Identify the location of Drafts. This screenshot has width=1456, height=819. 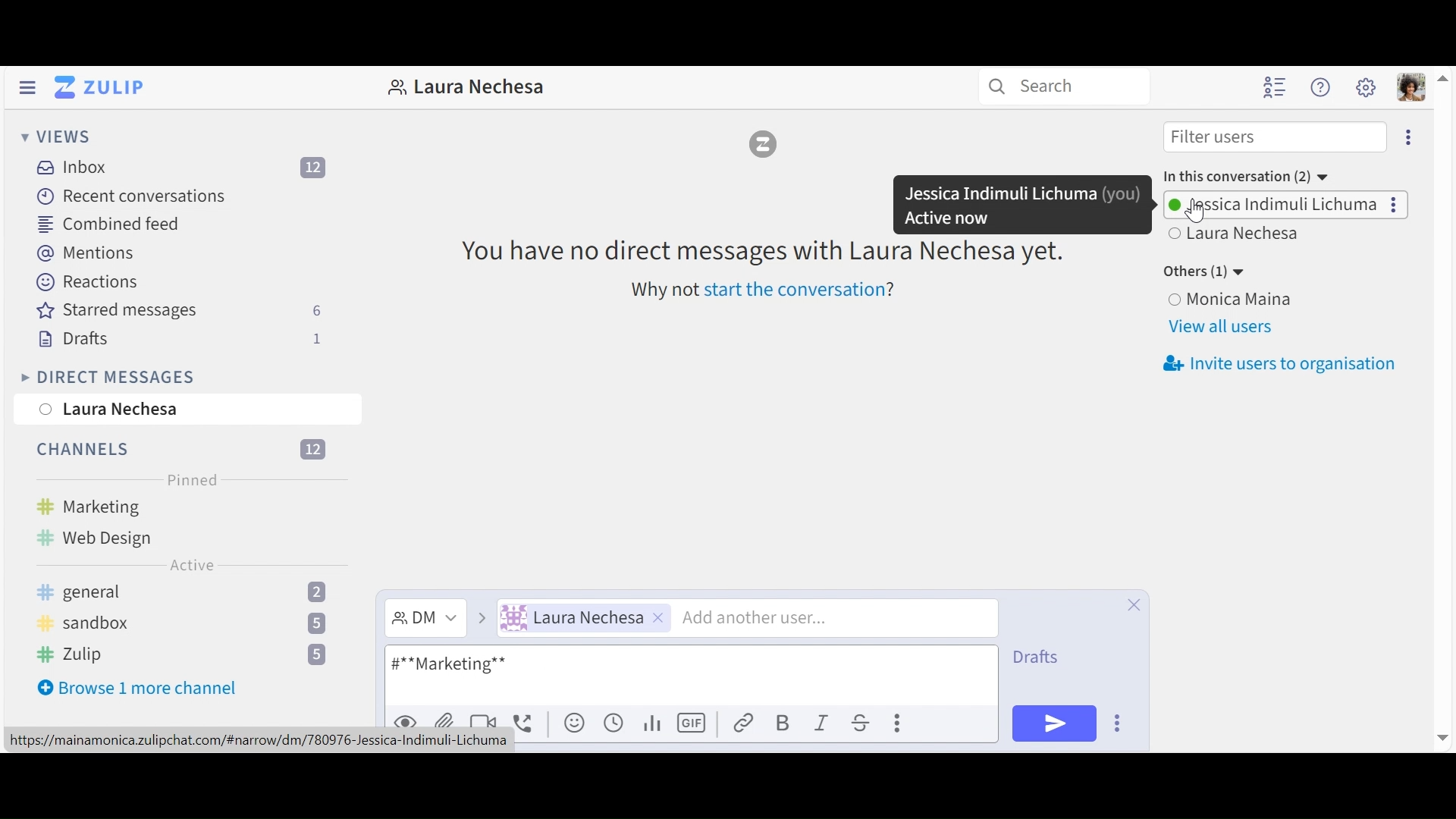
(179, 339).